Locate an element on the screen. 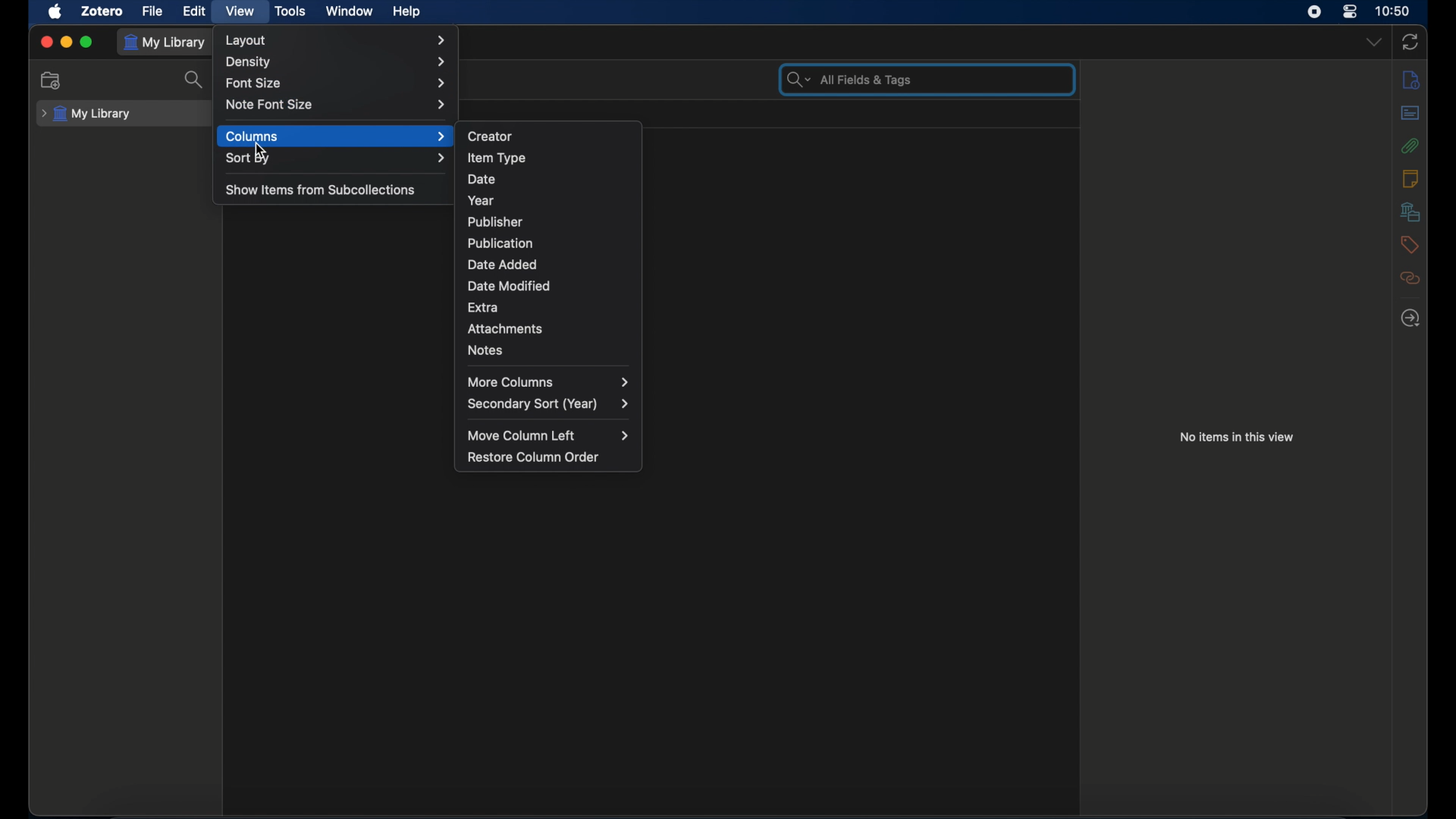  no items in this view is located at coordinates (1238, 437).